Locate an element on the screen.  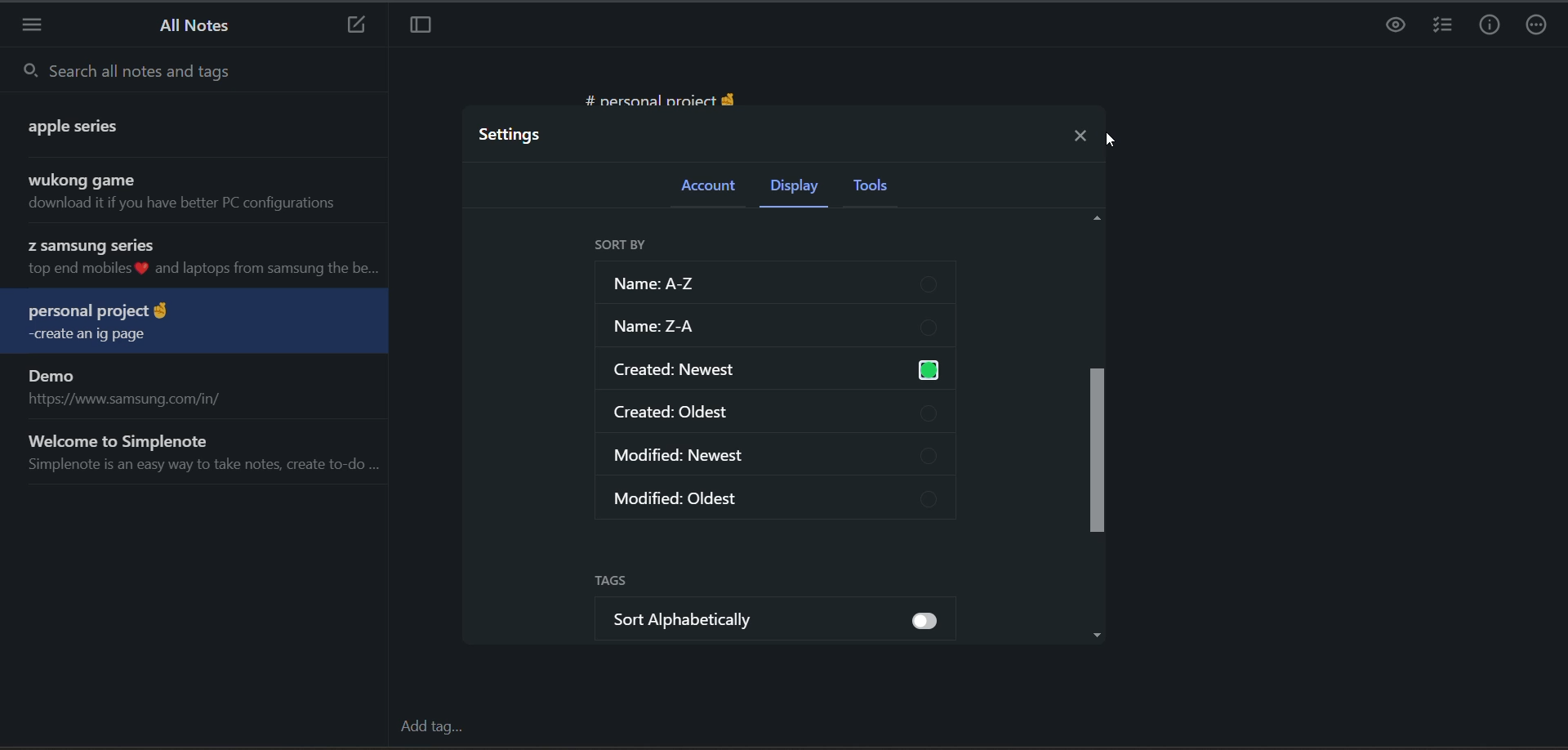
vertical scroll bar is located at coordinates (1098, 452).